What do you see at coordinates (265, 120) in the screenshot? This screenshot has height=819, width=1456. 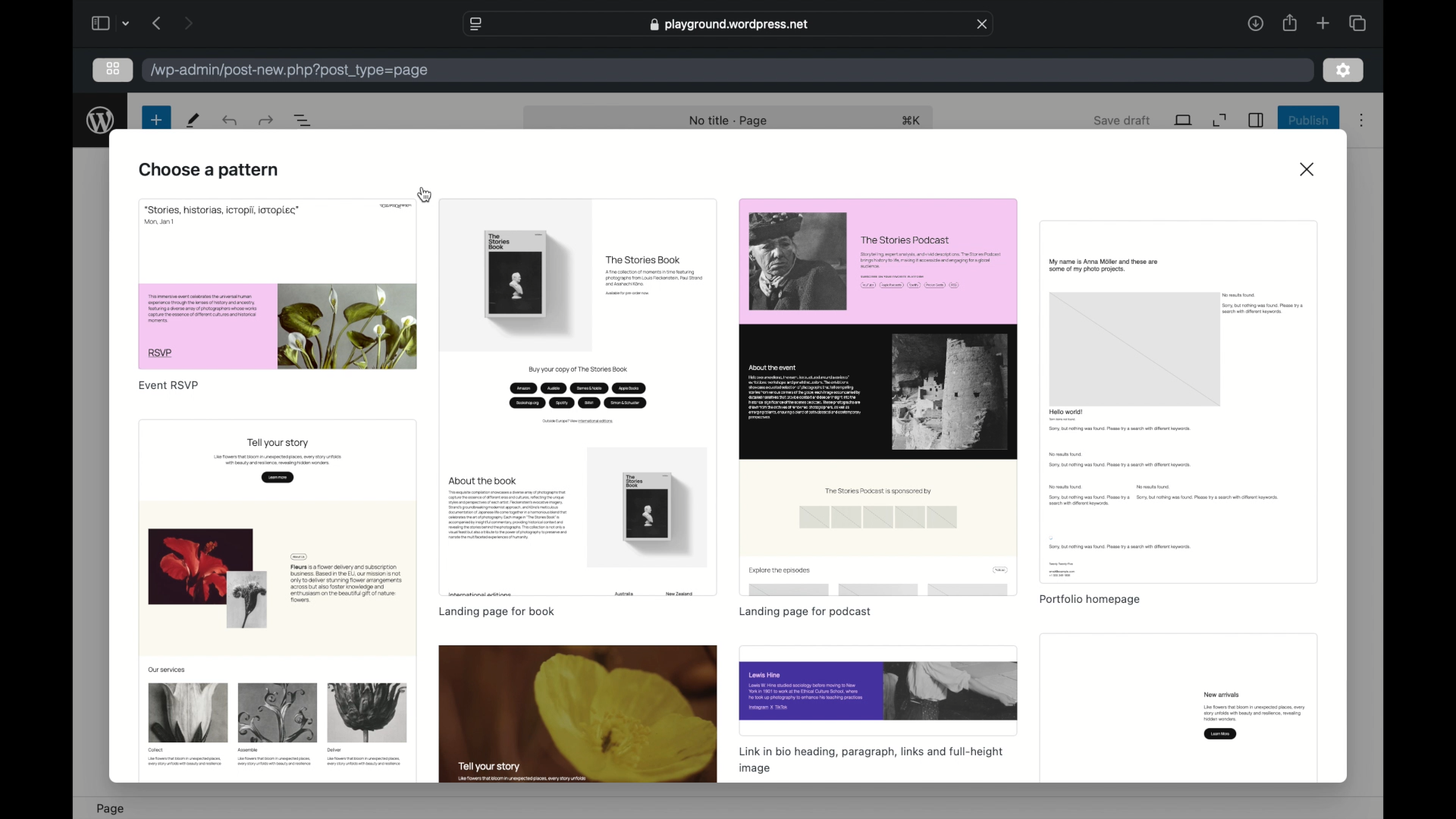 I see `undo` at bounding box center [265, 120].